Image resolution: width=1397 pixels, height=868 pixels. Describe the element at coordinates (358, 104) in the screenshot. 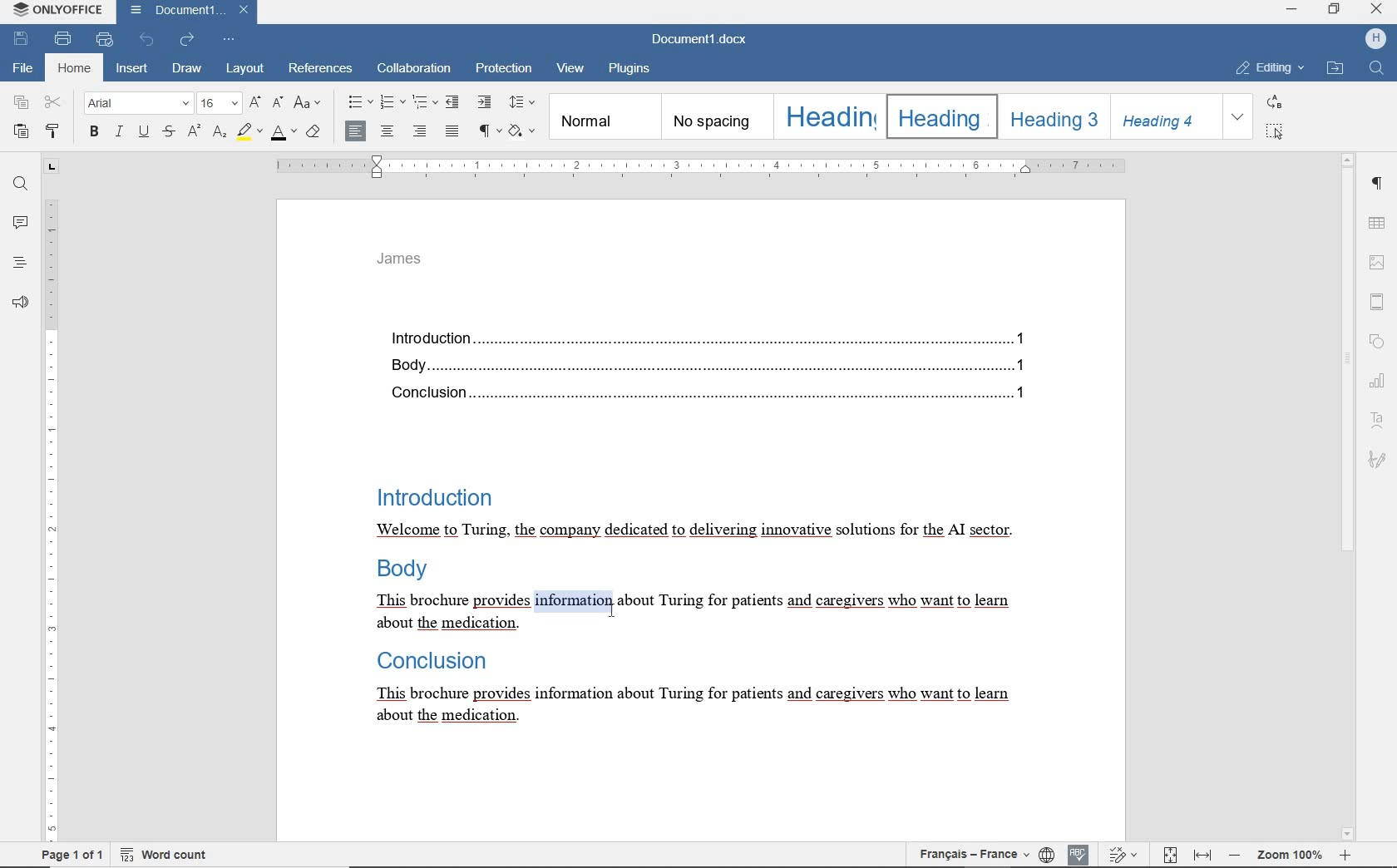

I see `BULLETS` at that location.